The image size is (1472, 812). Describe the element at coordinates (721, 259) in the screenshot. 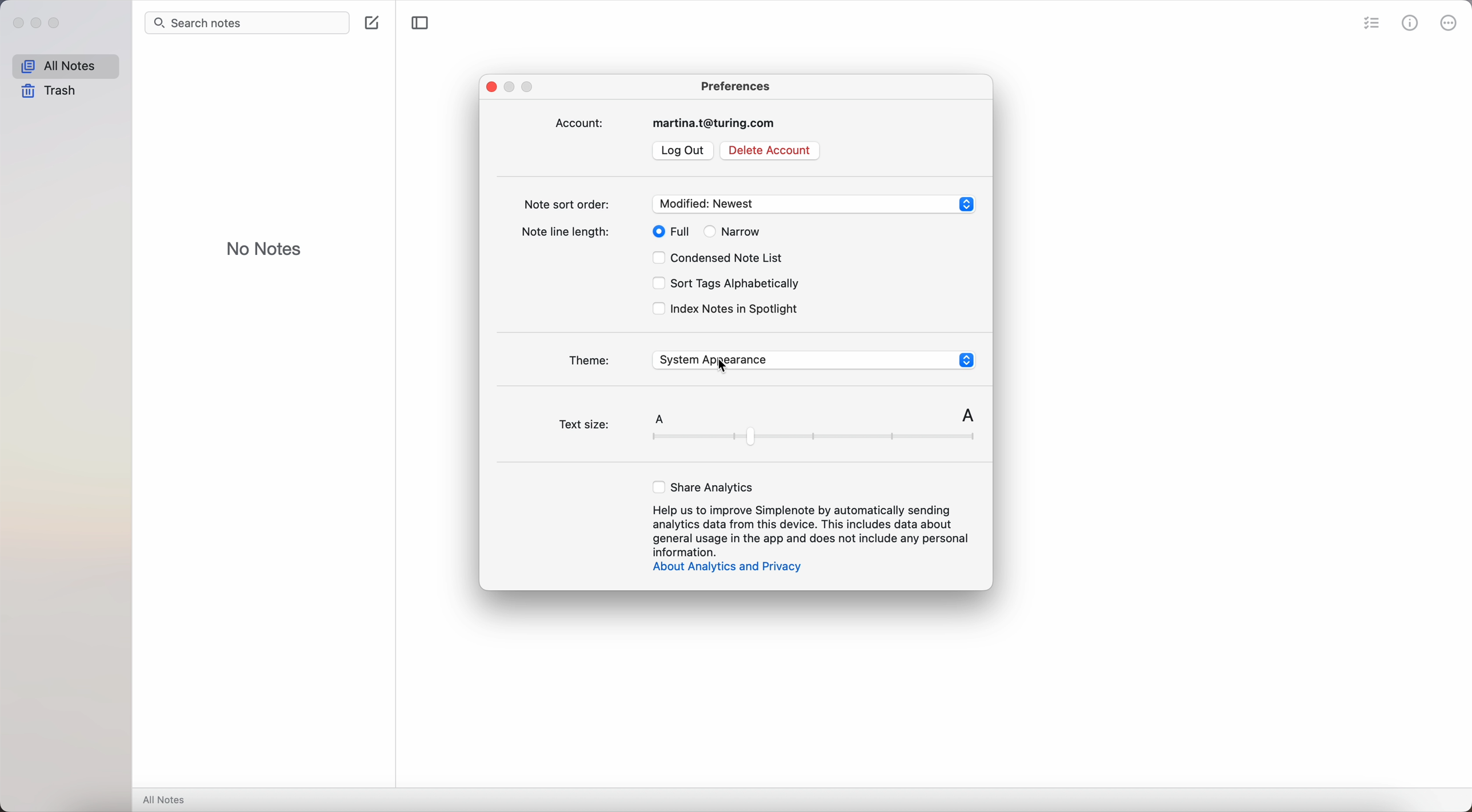

I see `condensed note list` at that location.